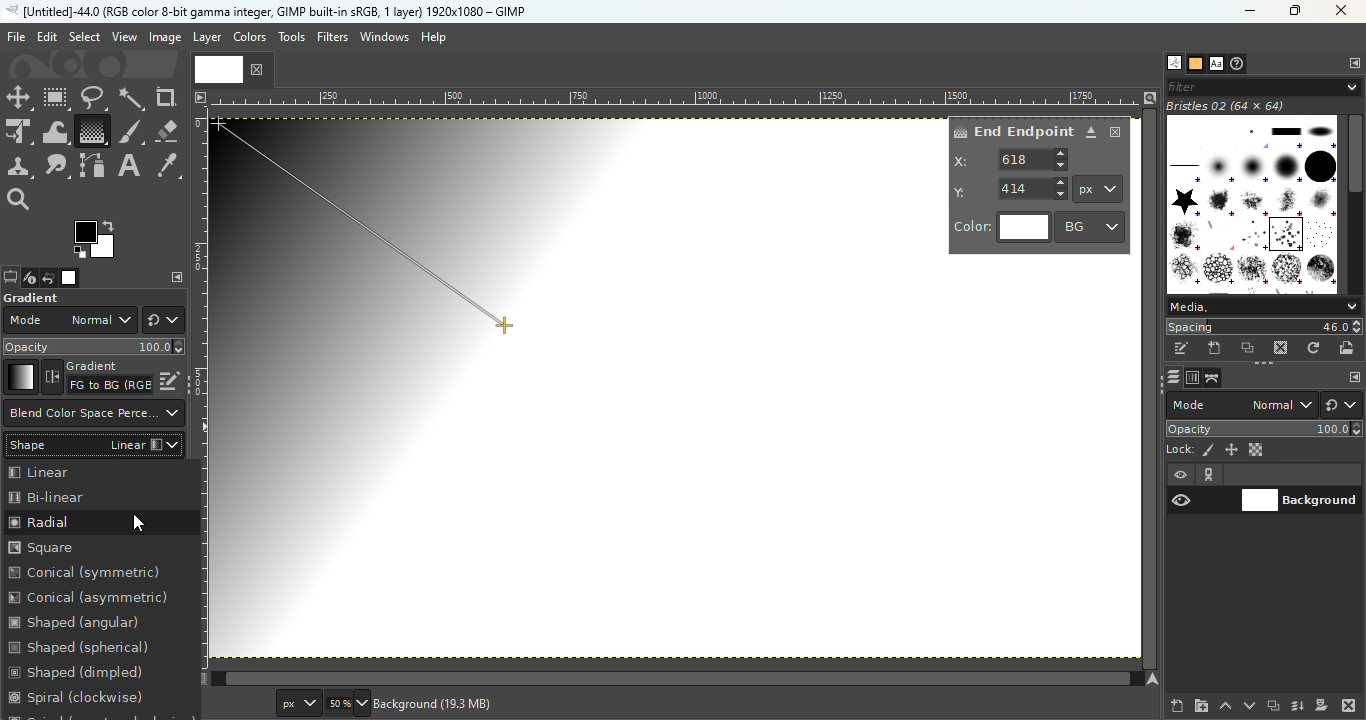 The height and width of the screenshot is (720, 1366). I want to click on Duplicate this brush, so click(1249, 348).